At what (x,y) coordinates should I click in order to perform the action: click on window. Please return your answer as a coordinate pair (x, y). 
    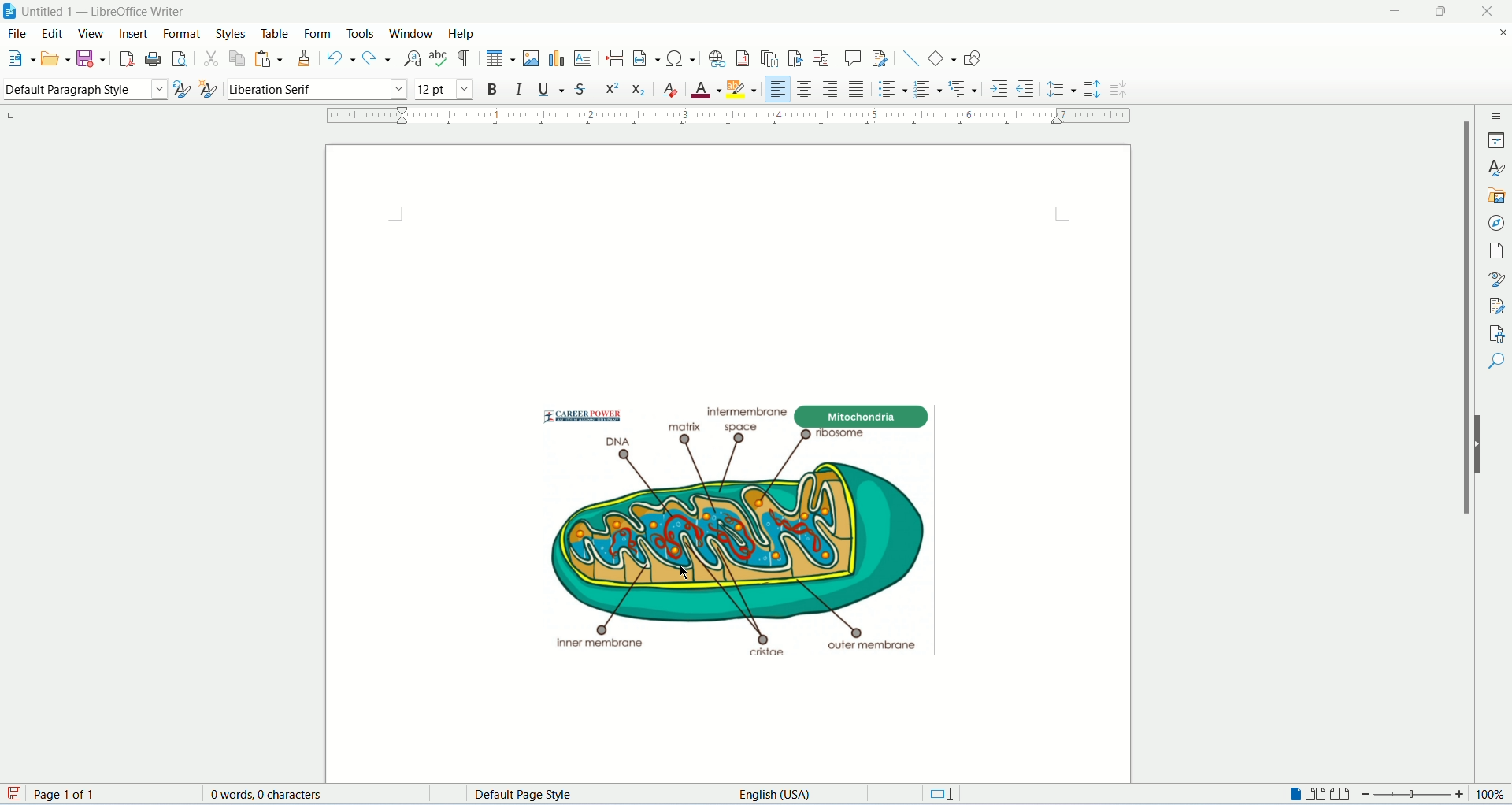
    Looking at the image, I should click on (412, 33).